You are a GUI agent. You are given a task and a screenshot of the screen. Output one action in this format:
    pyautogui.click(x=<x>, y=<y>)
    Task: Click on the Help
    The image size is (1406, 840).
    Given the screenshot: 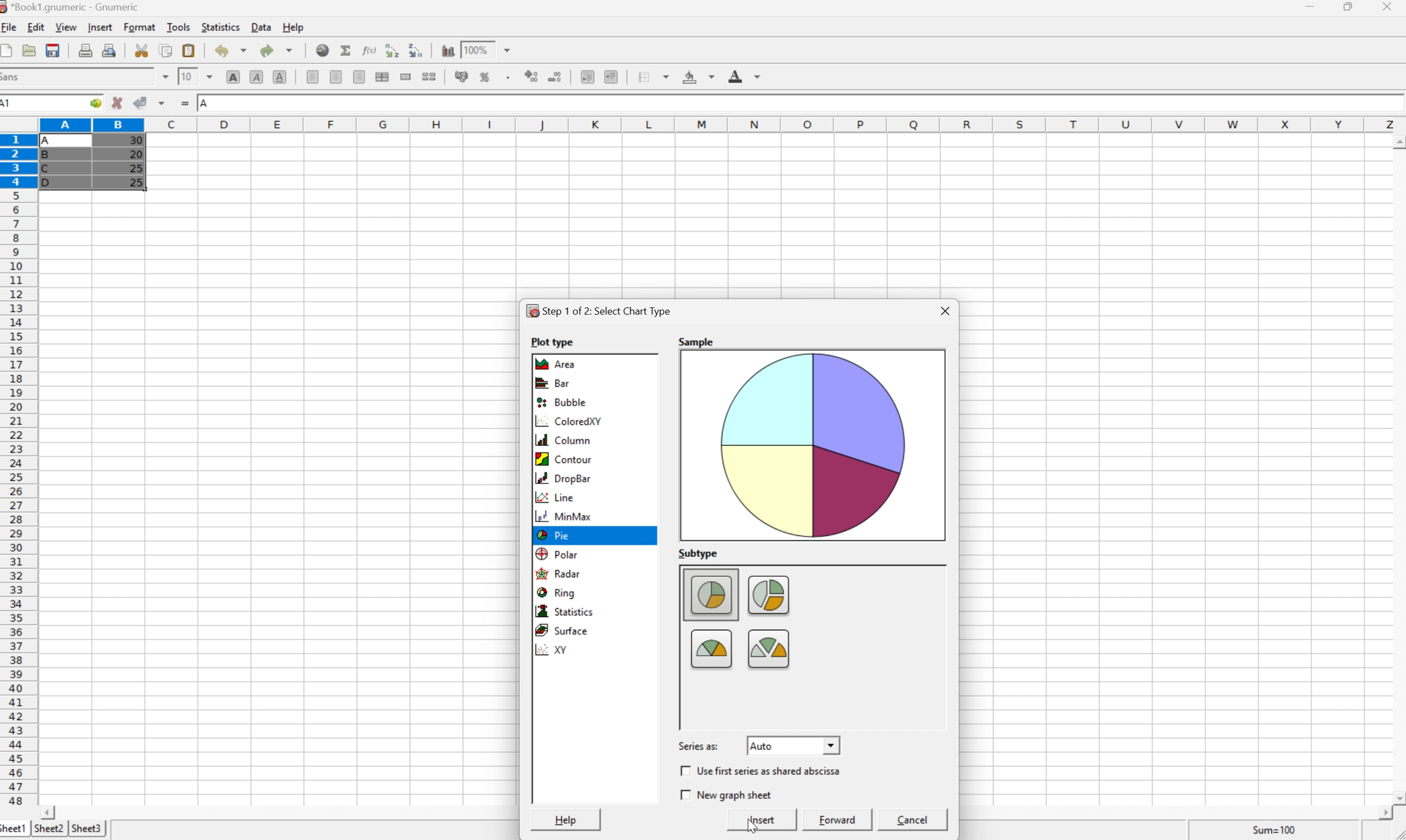 What is the action you would take?
    pyautogui.click(x=294, y=27)
    